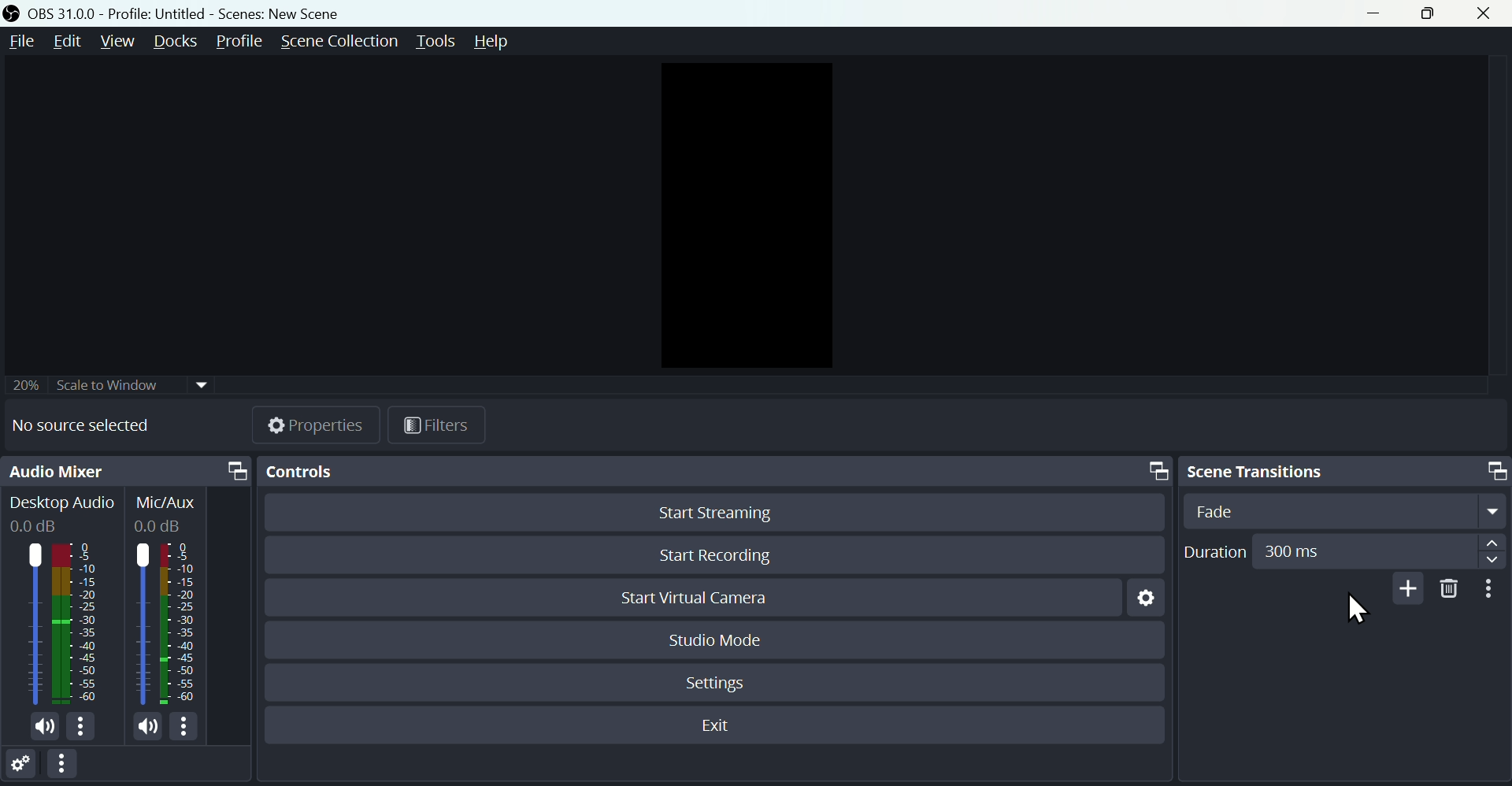 Image resolution: width=1512 pixels, height=786 pixels. I want to click on Settings, so click(719, 684).